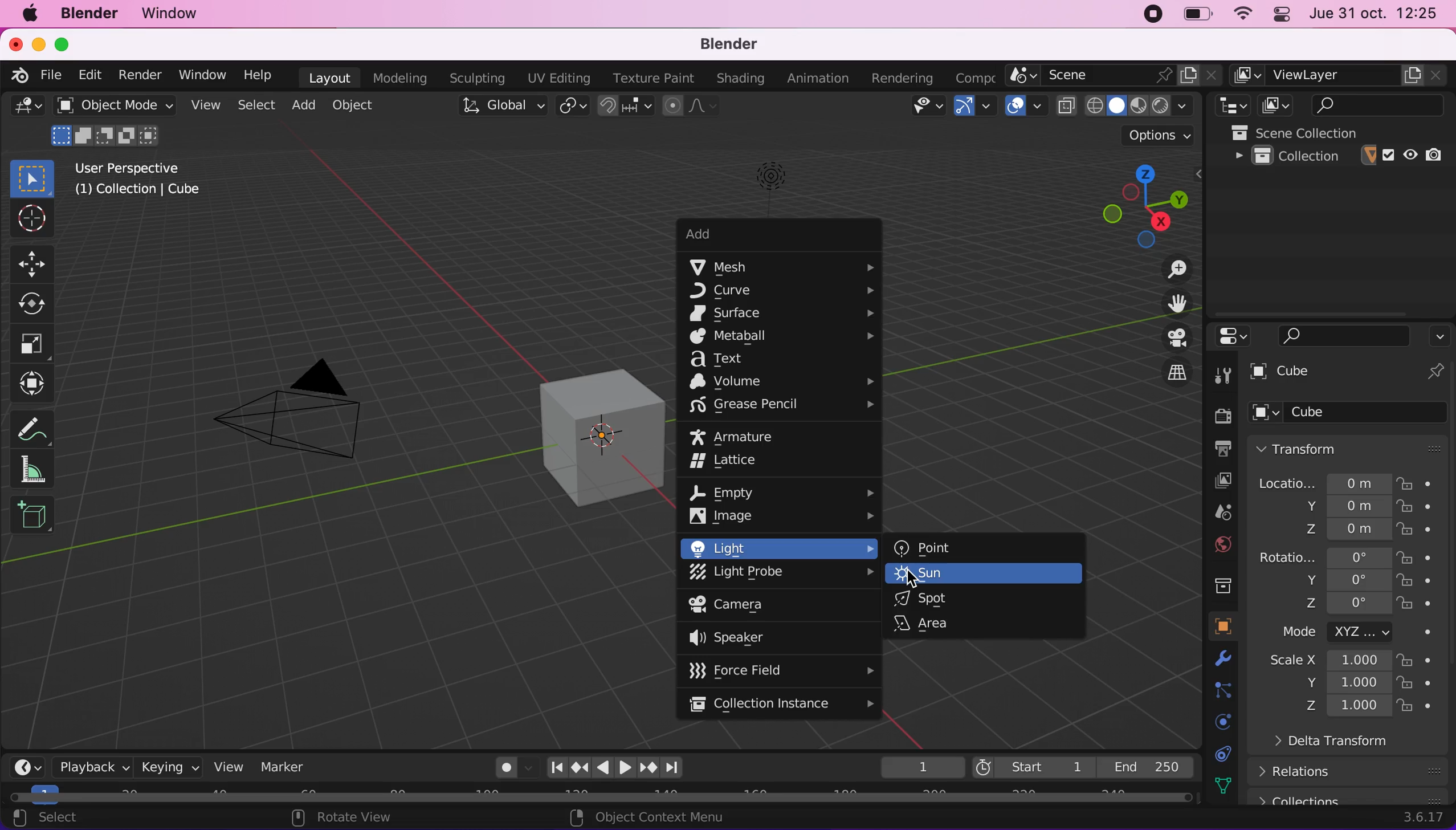 Image resolution: width=1456 pixels, height=830 pixels. I want to click on rendering, so click(895, 78).